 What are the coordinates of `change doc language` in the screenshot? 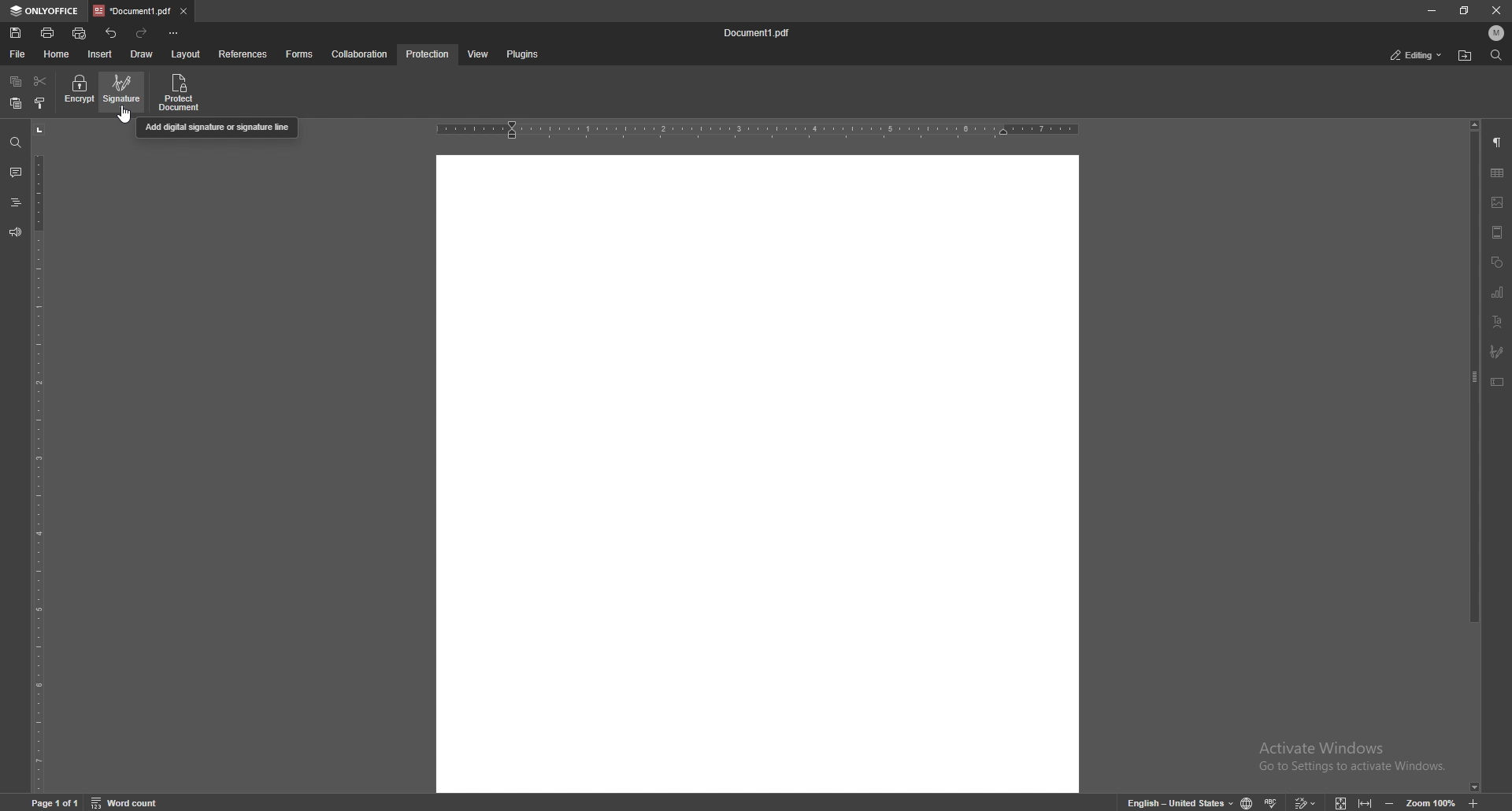 It's located at (1241, 802).